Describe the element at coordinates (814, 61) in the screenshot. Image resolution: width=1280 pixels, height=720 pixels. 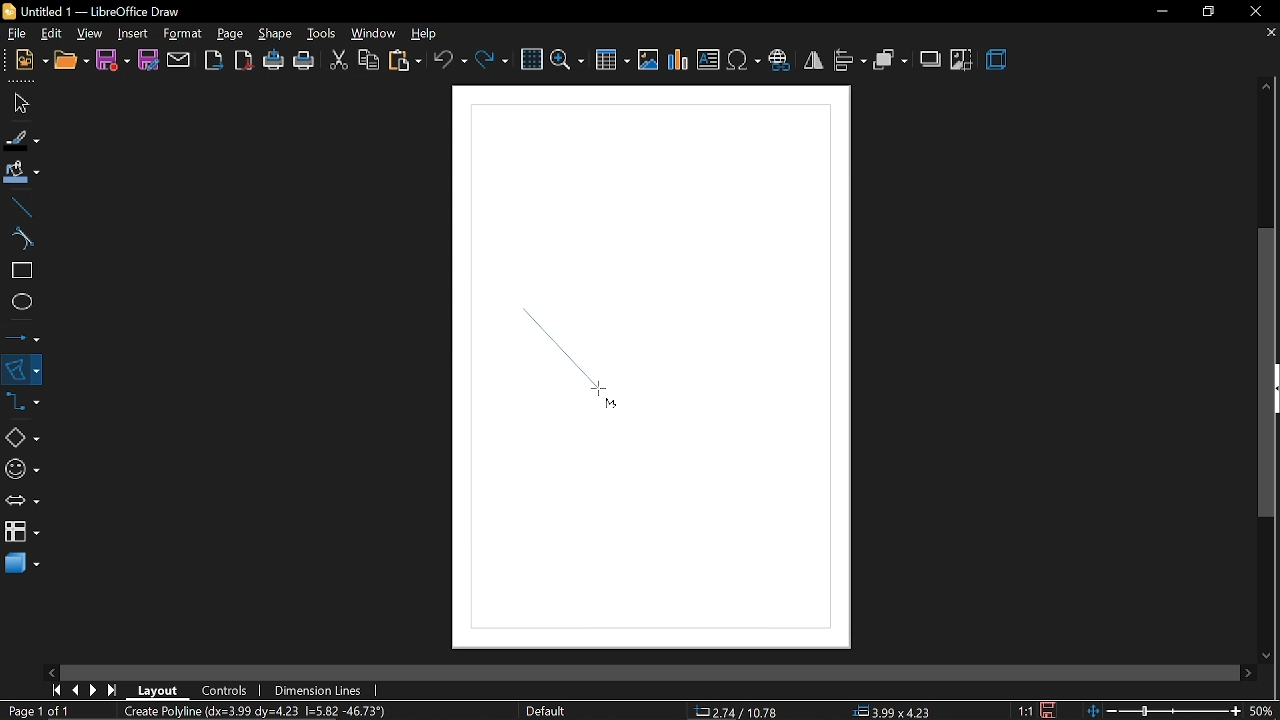
I see `flip` at that location.